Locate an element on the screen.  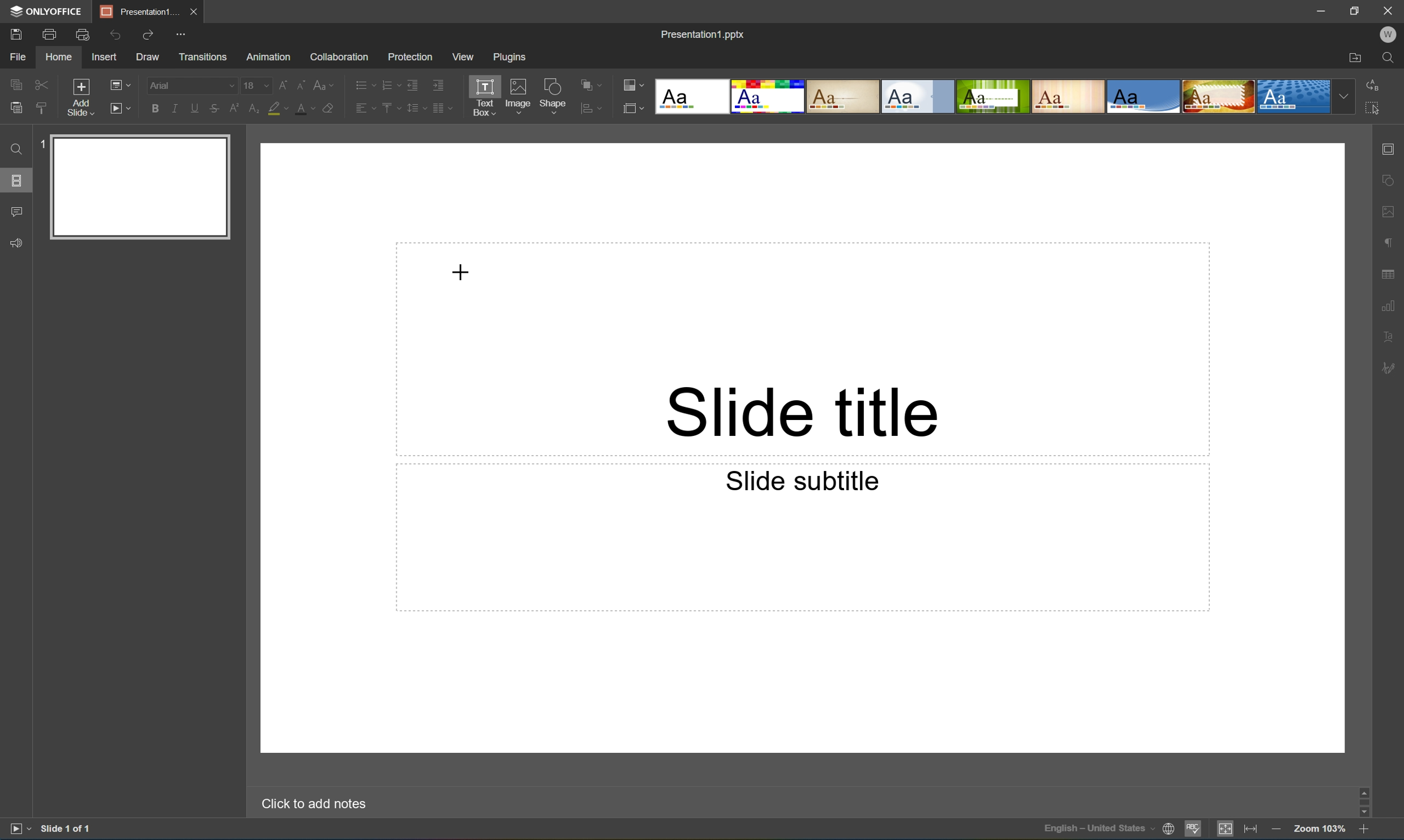
Zoom out is located at coordinates (1275, 829).